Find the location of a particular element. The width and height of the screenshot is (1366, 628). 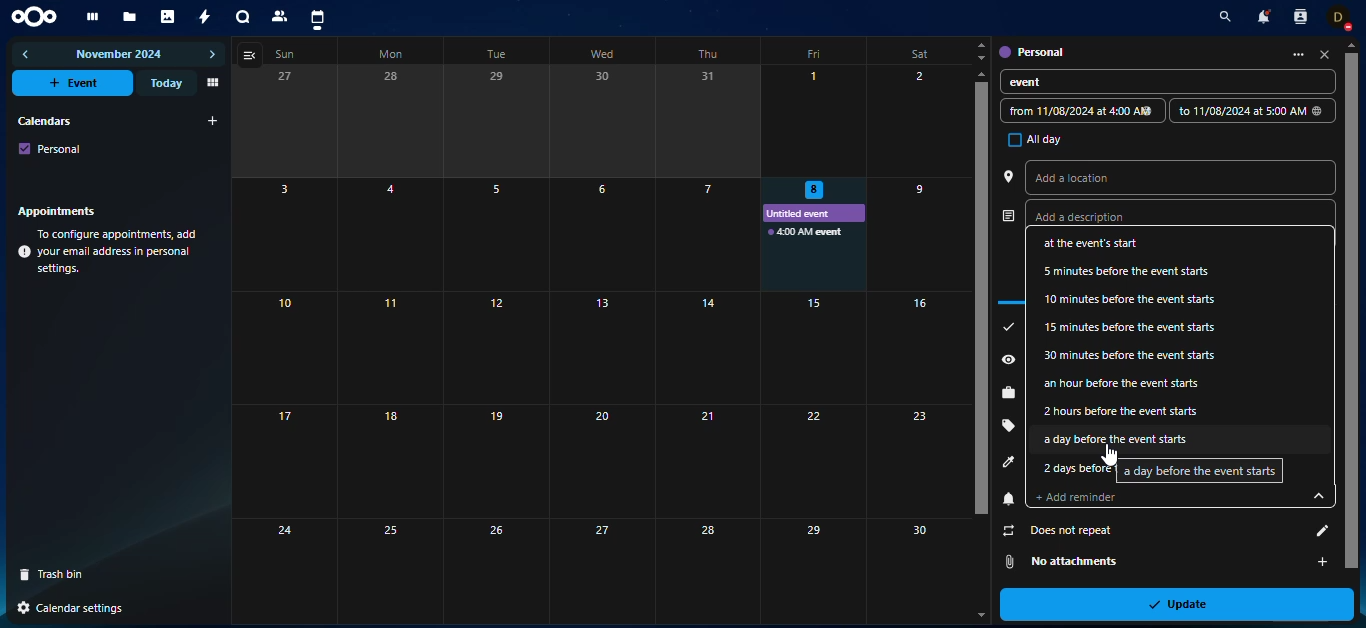

 is located at coordinates (812, 460).